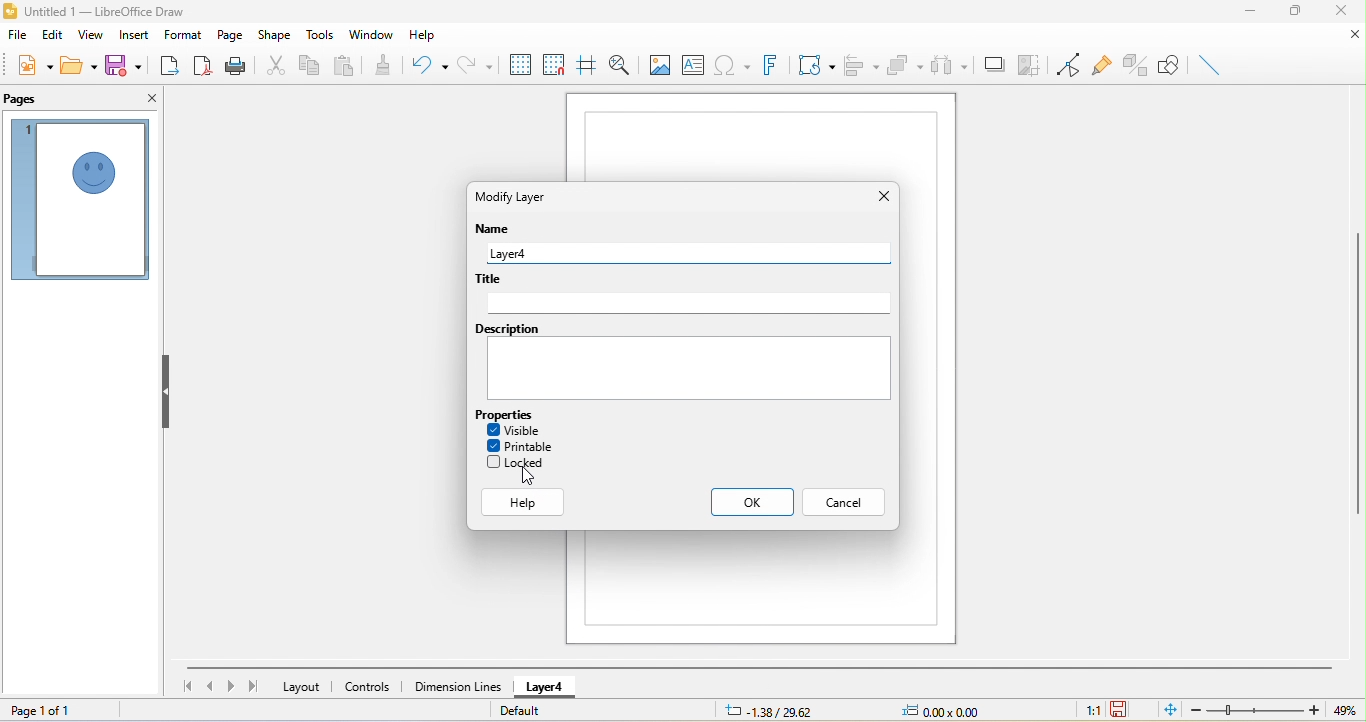 The image size is (1366, 722). What do you see at coordinates (556, 68) in the screenshot?
I see `snap to grids` at bounding box center [556, 68].